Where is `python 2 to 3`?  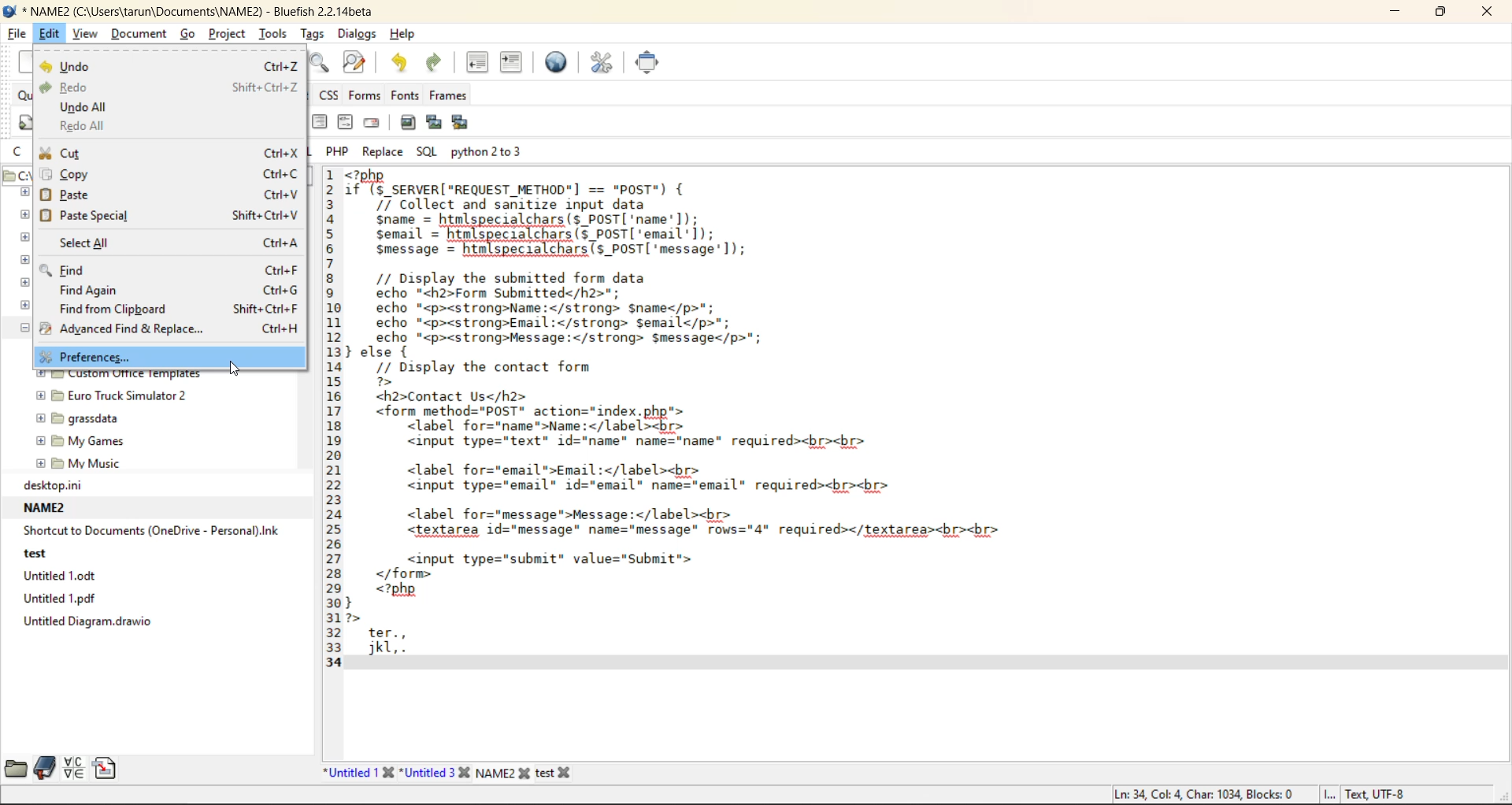
python 2 to 3 is located at coordinates (498, 150).